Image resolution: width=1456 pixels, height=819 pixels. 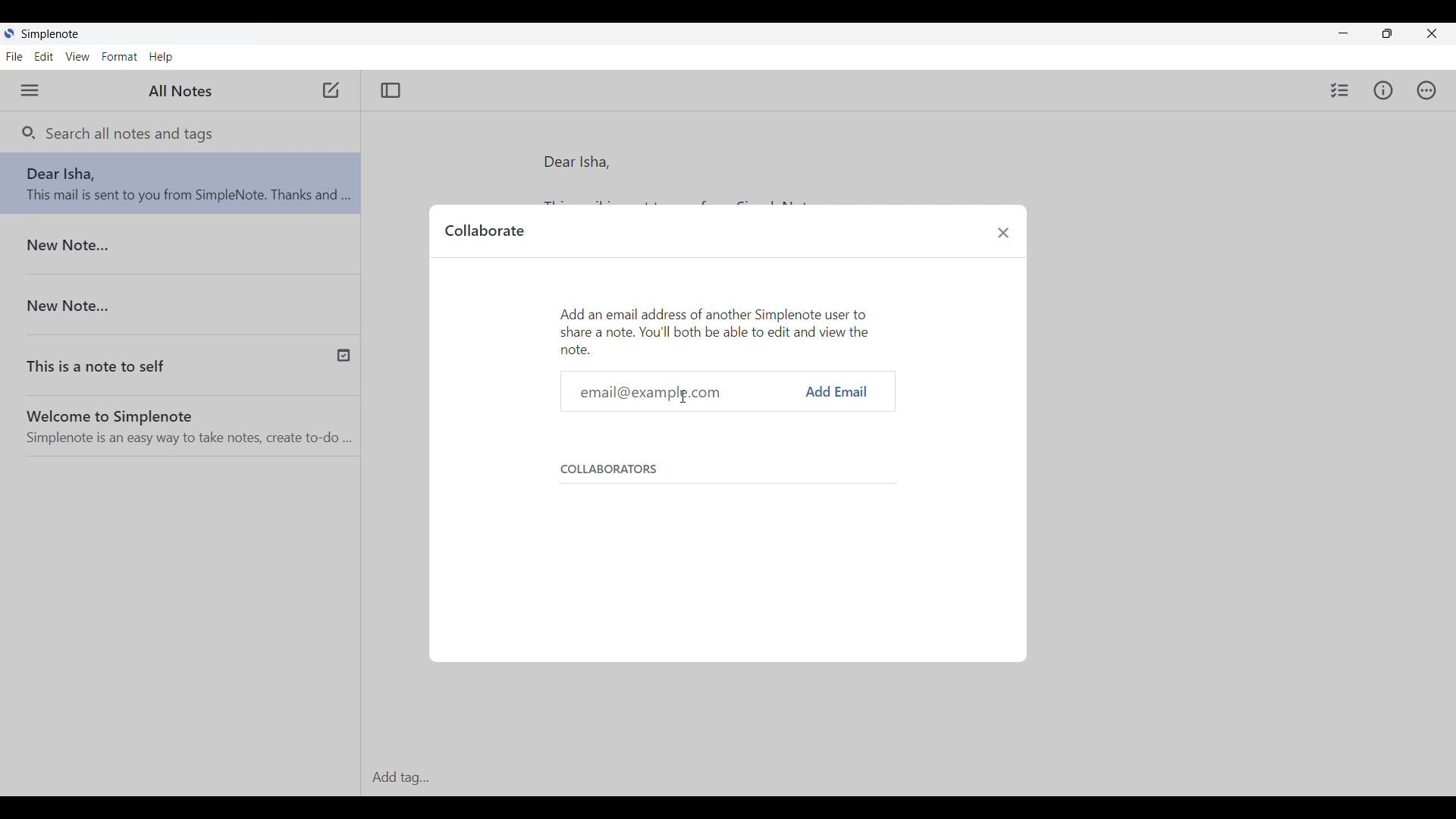 What do you see at coordinates (1426, 90) in the screenshot?
I see `Actions` at bounding box center [1426, 90].